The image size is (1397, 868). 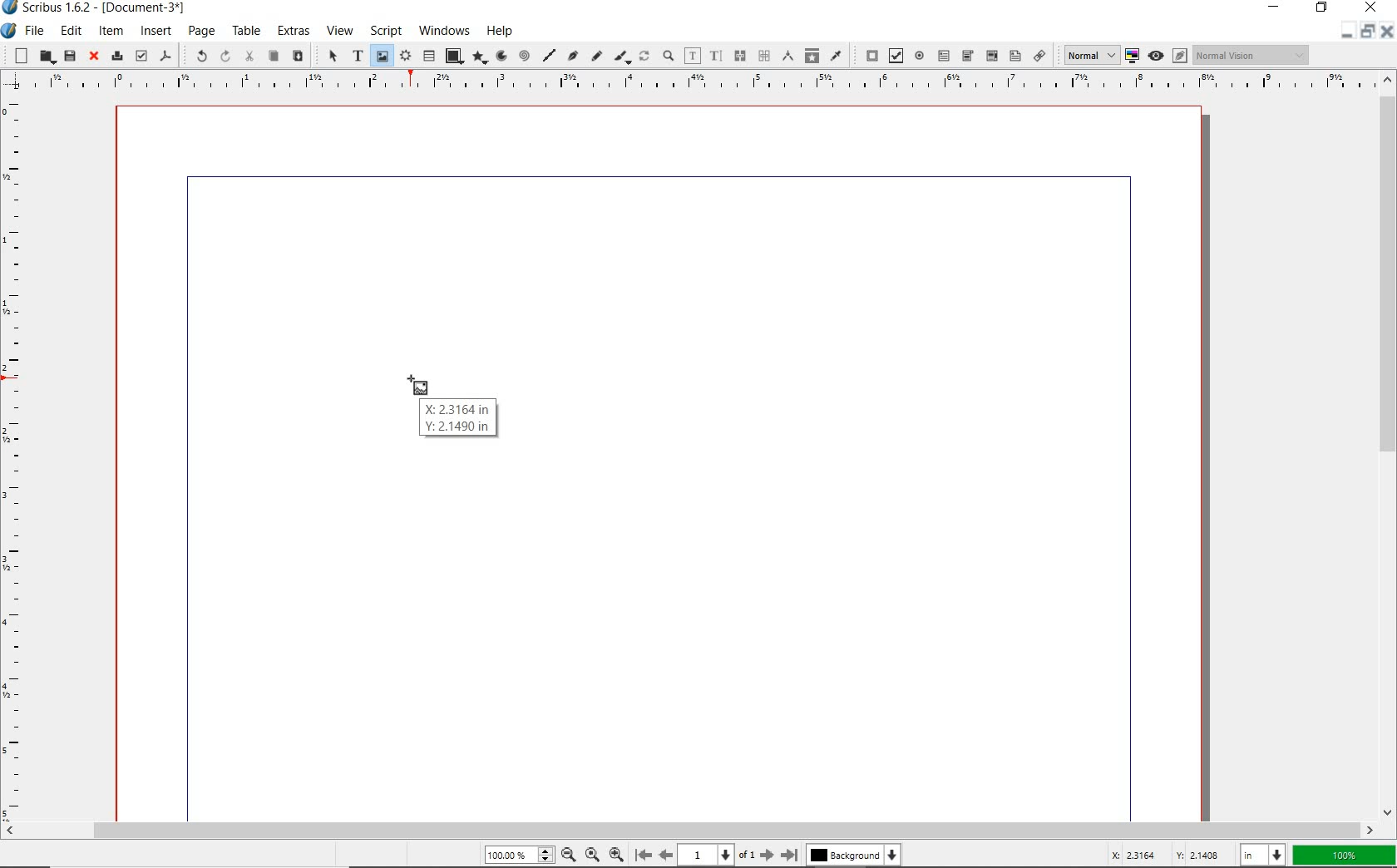 What do you see at coordinates (47, 57) in the screenshot?
I see `open` at bounding box center [47, 57].